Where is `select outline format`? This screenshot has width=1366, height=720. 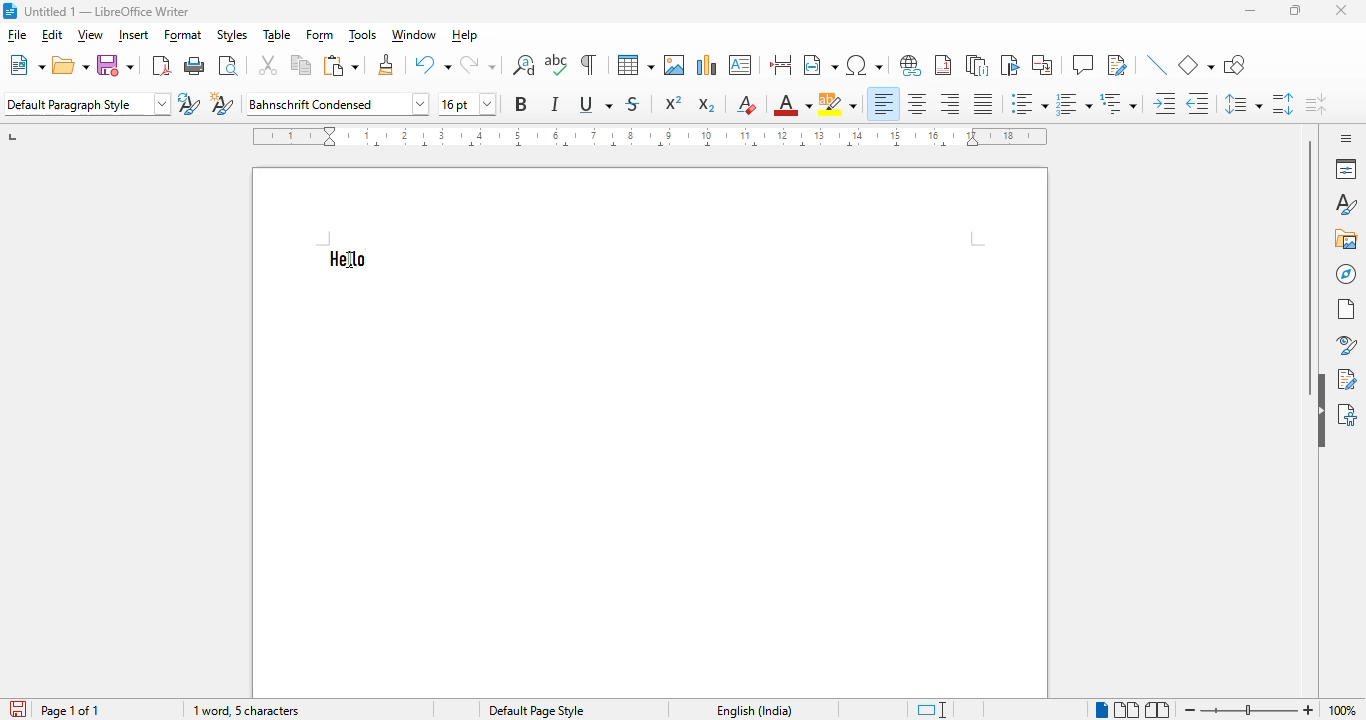 select outline format is located at coordinates (1119, 103).